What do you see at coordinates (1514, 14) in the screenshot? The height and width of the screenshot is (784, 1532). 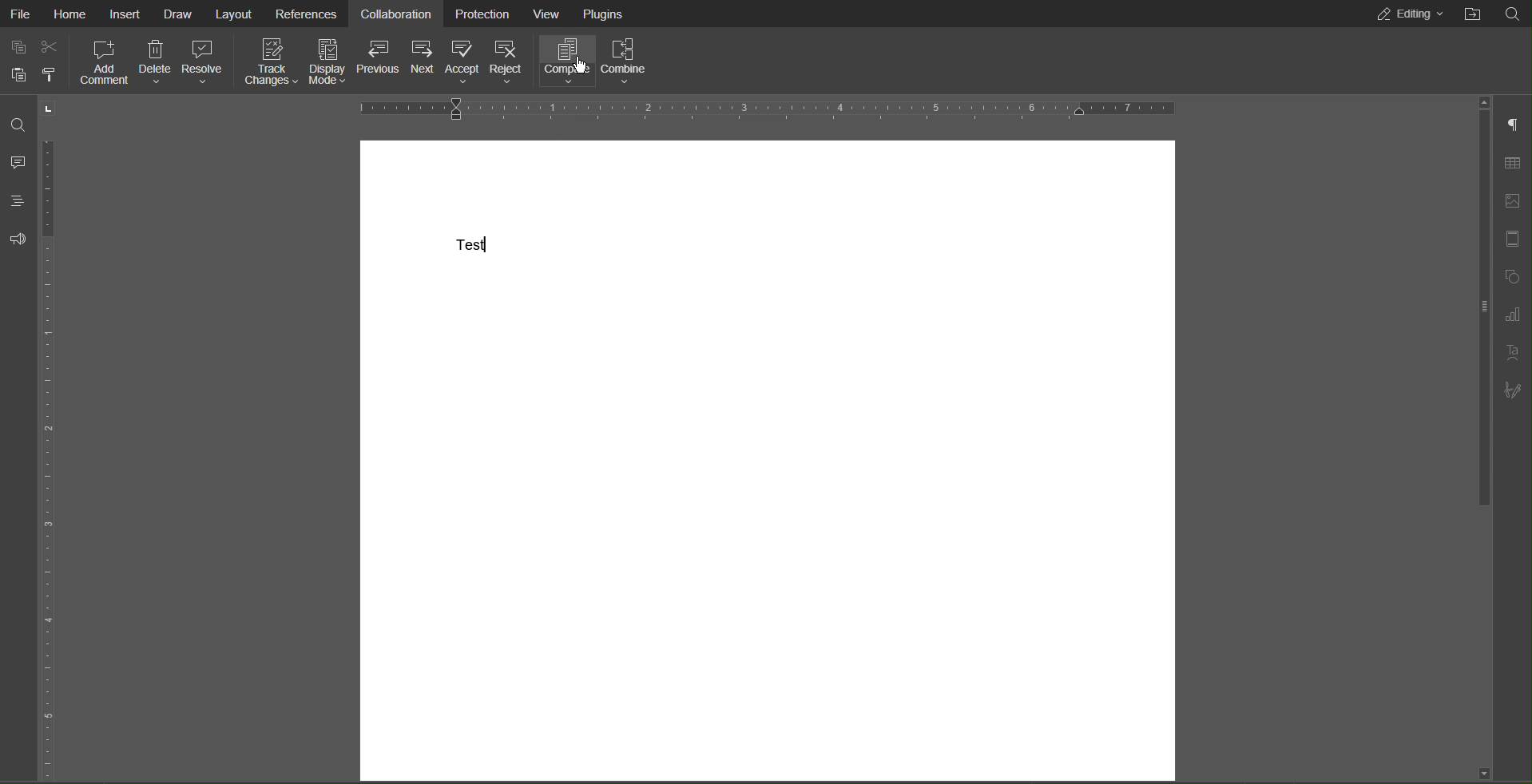 I see `Search` at bounding box center [1514, 14].